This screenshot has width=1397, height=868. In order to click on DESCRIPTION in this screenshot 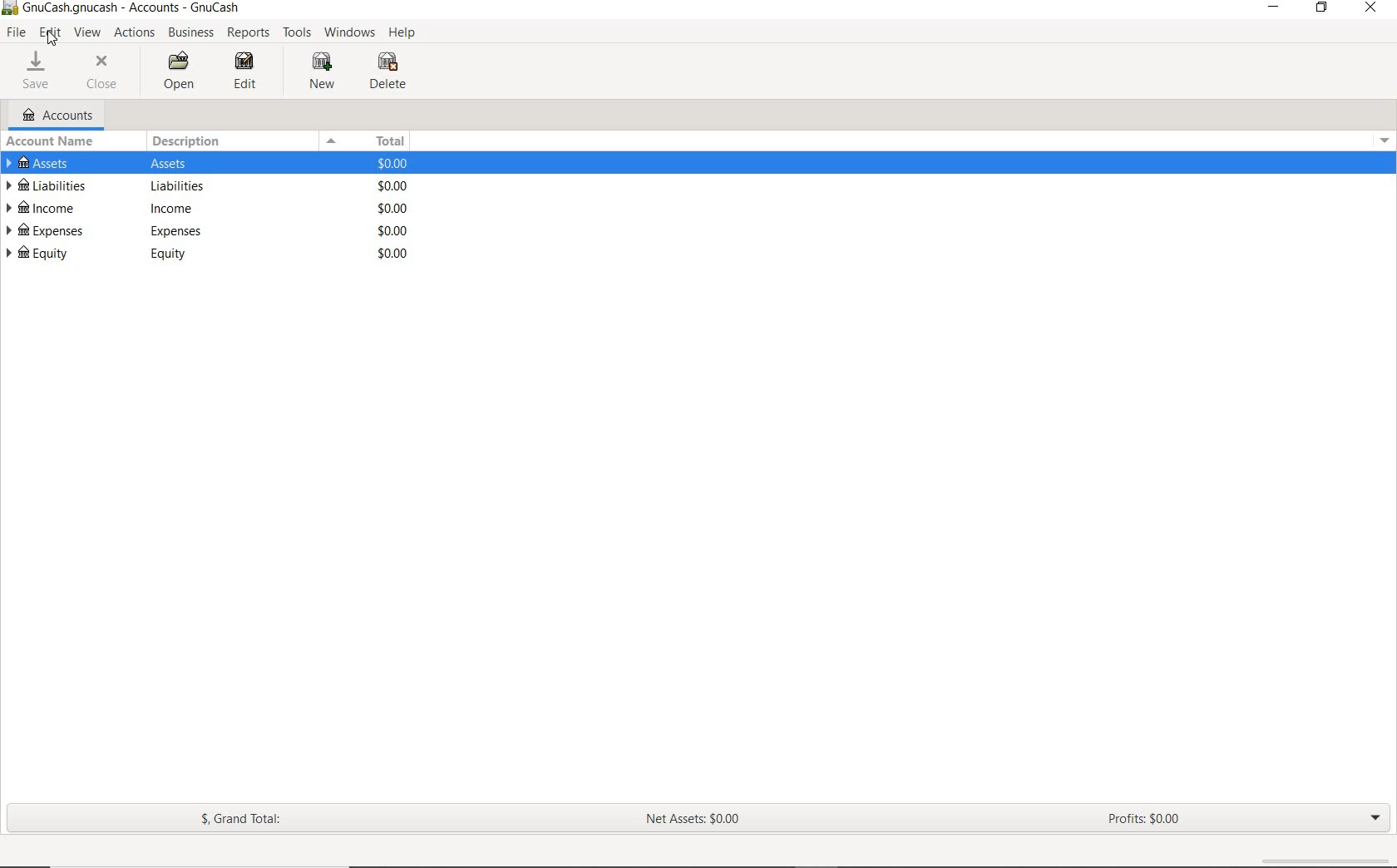, I will do `click(189, 141)`.